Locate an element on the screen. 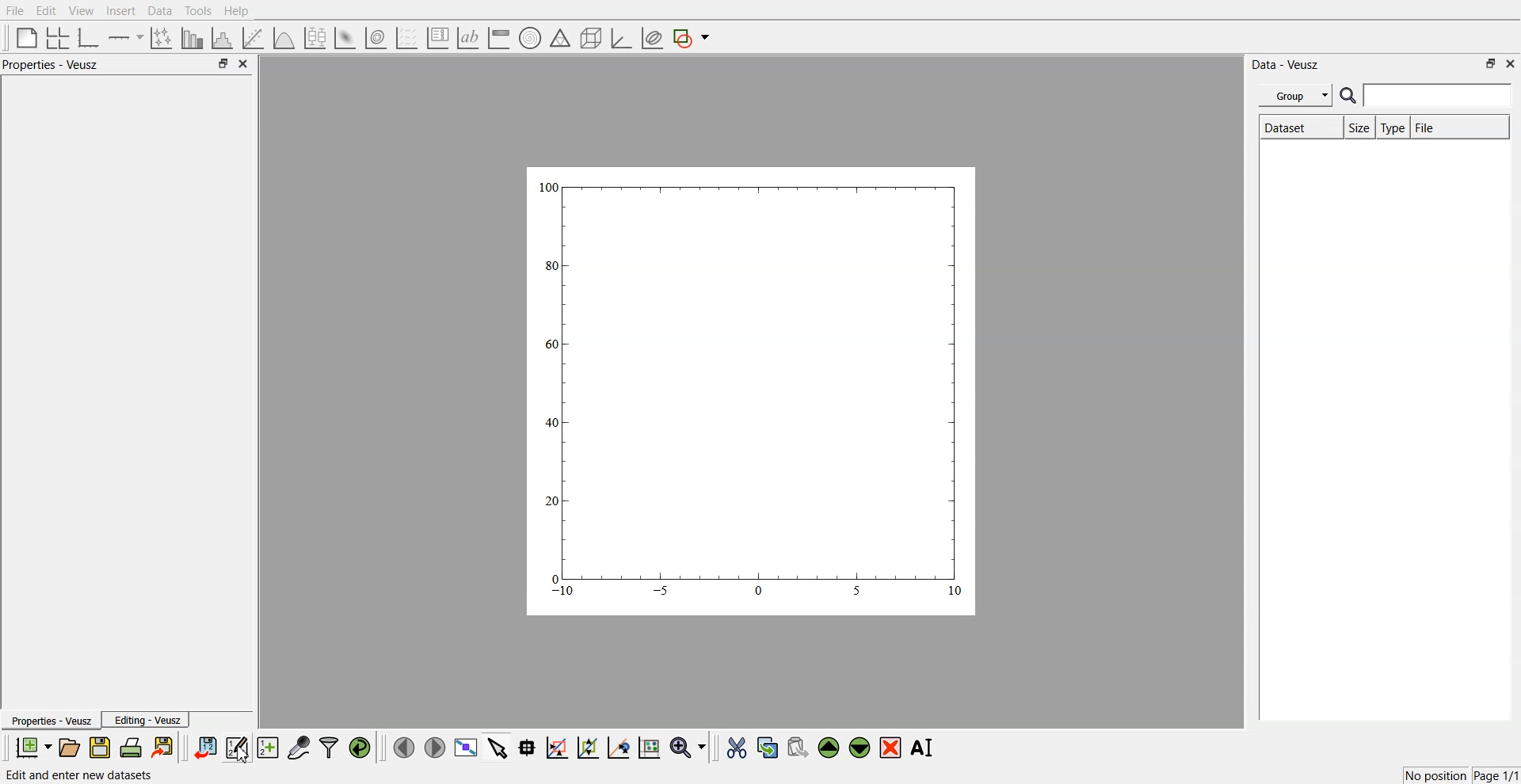 The height and width of the screenshot is (784, 1521). blank page is located at coordinates (23, 36).